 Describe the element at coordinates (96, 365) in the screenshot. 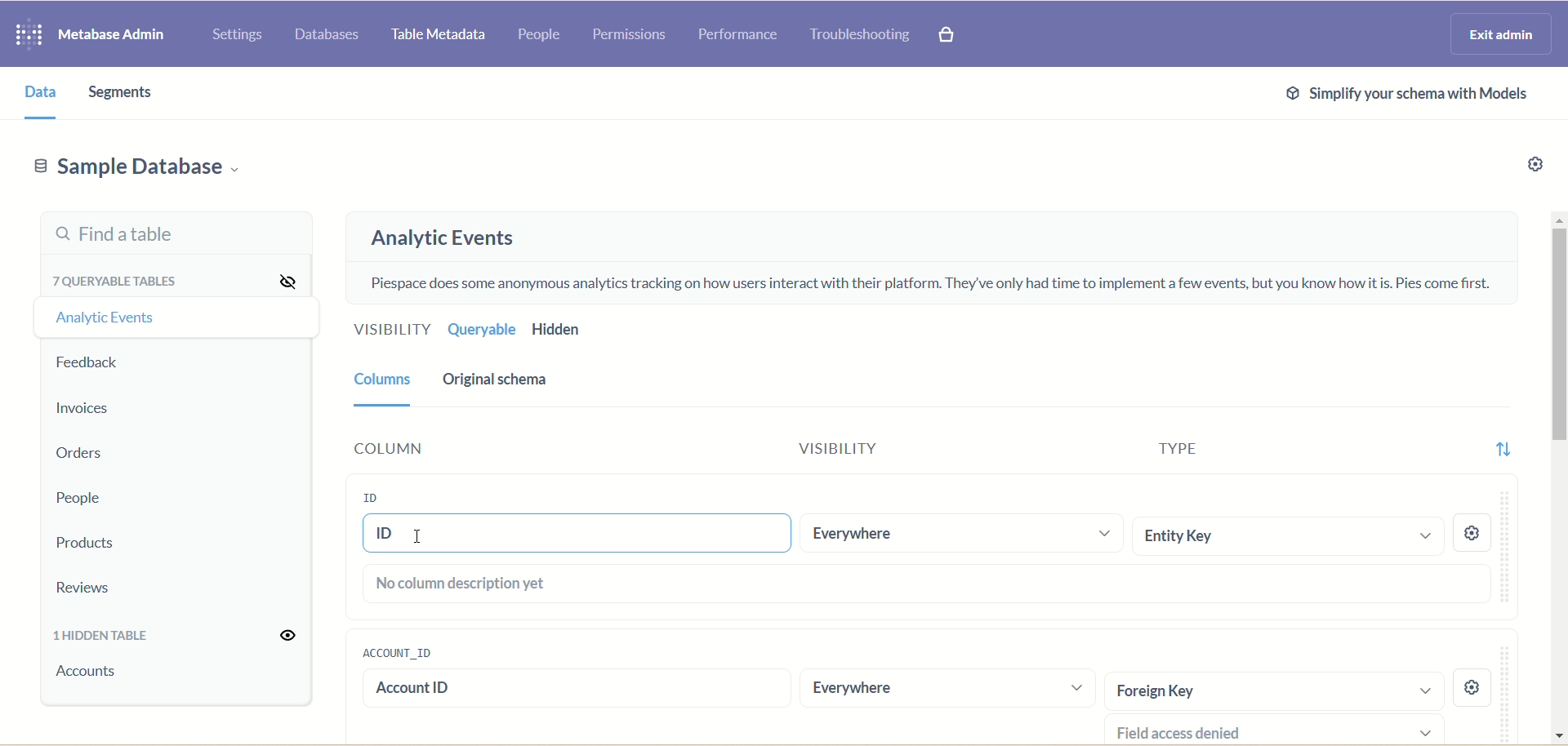

I see `Feedback` at that location.